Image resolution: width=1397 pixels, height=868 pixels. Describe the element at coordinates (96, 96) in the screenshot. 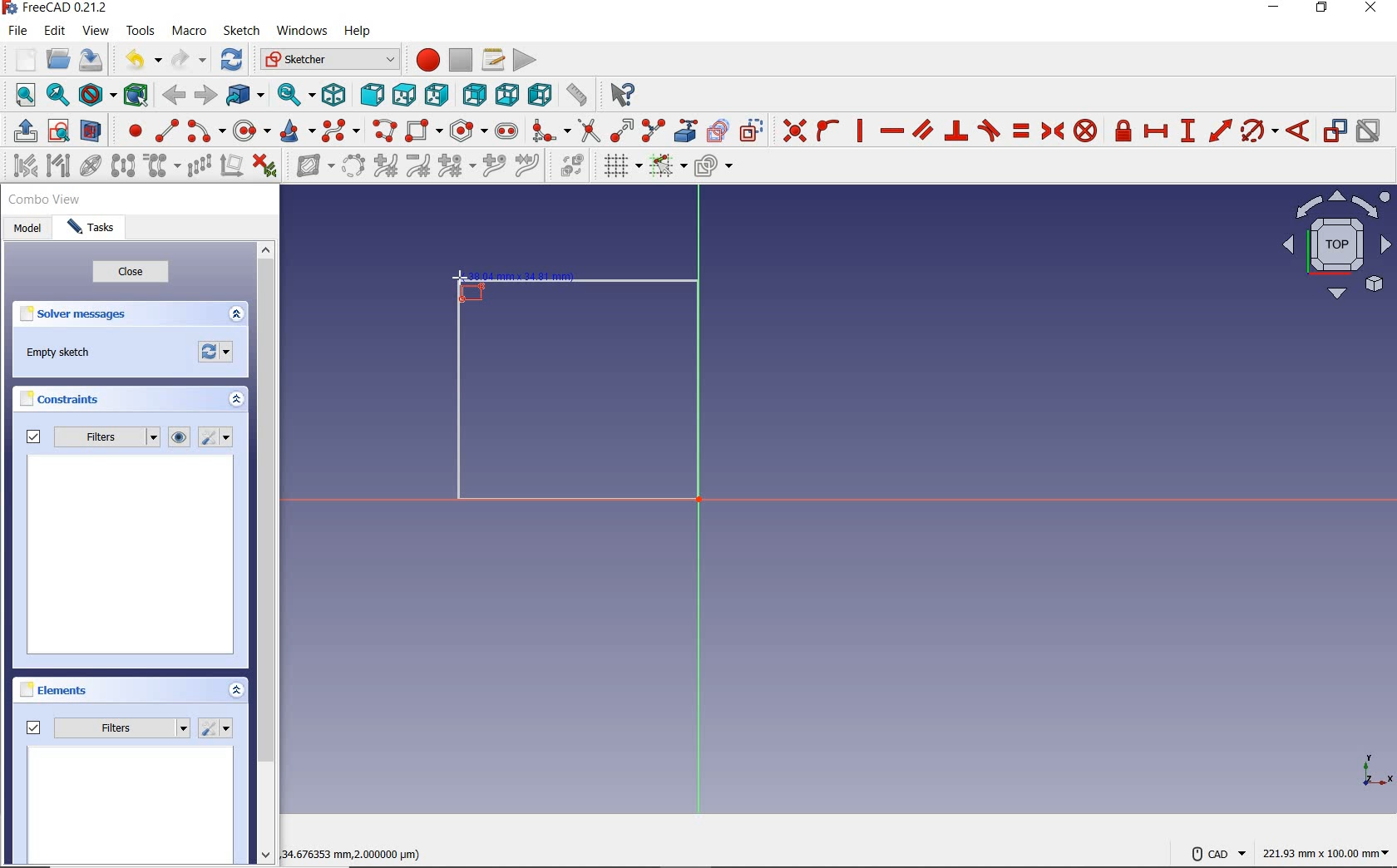

I see `draw style` at that location.